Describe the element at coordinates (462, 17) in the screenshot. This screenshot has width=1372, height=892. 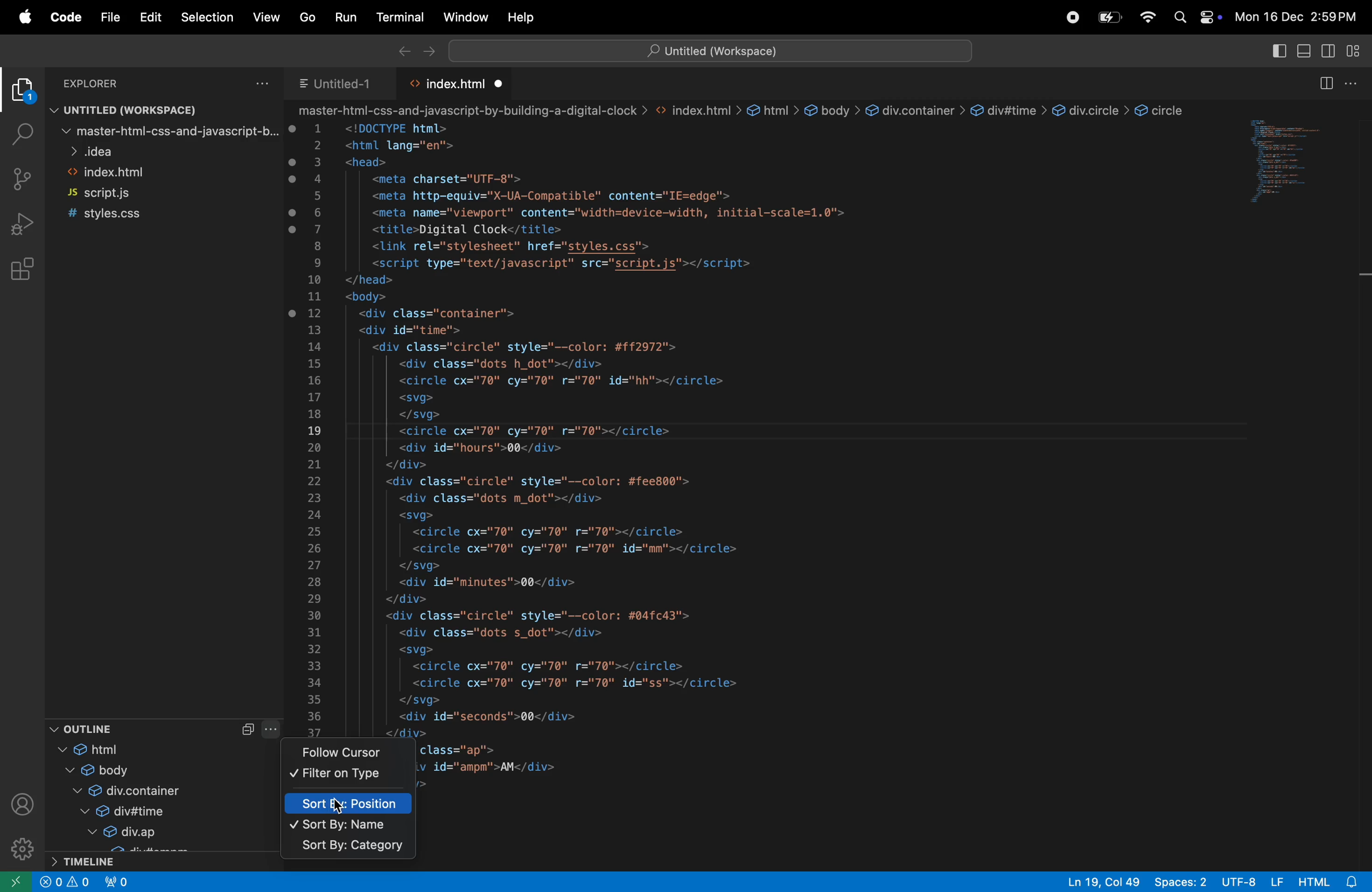
I see `window` at that location.